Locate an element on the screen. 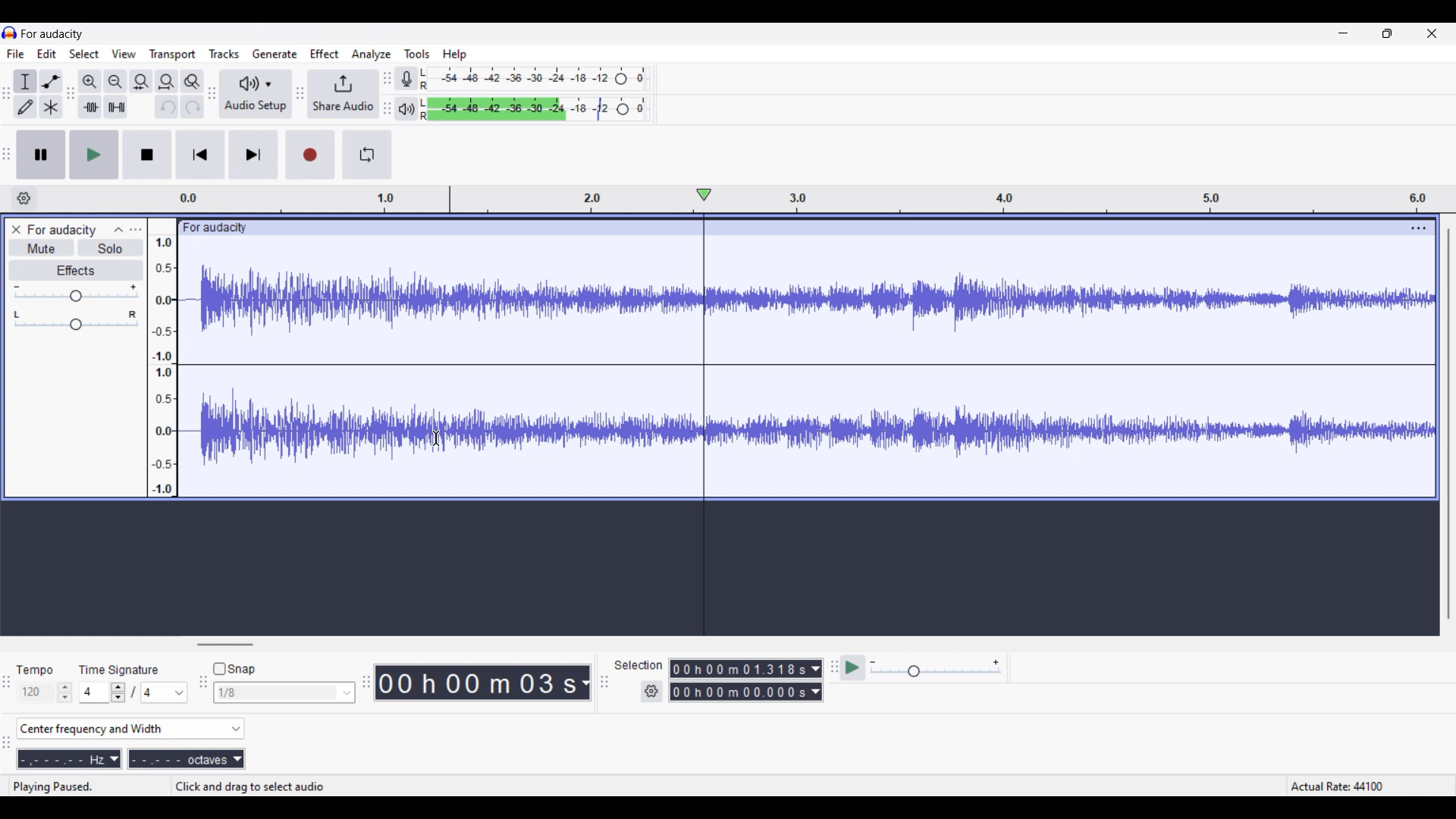  Current track is located at coordinates (791, 358).